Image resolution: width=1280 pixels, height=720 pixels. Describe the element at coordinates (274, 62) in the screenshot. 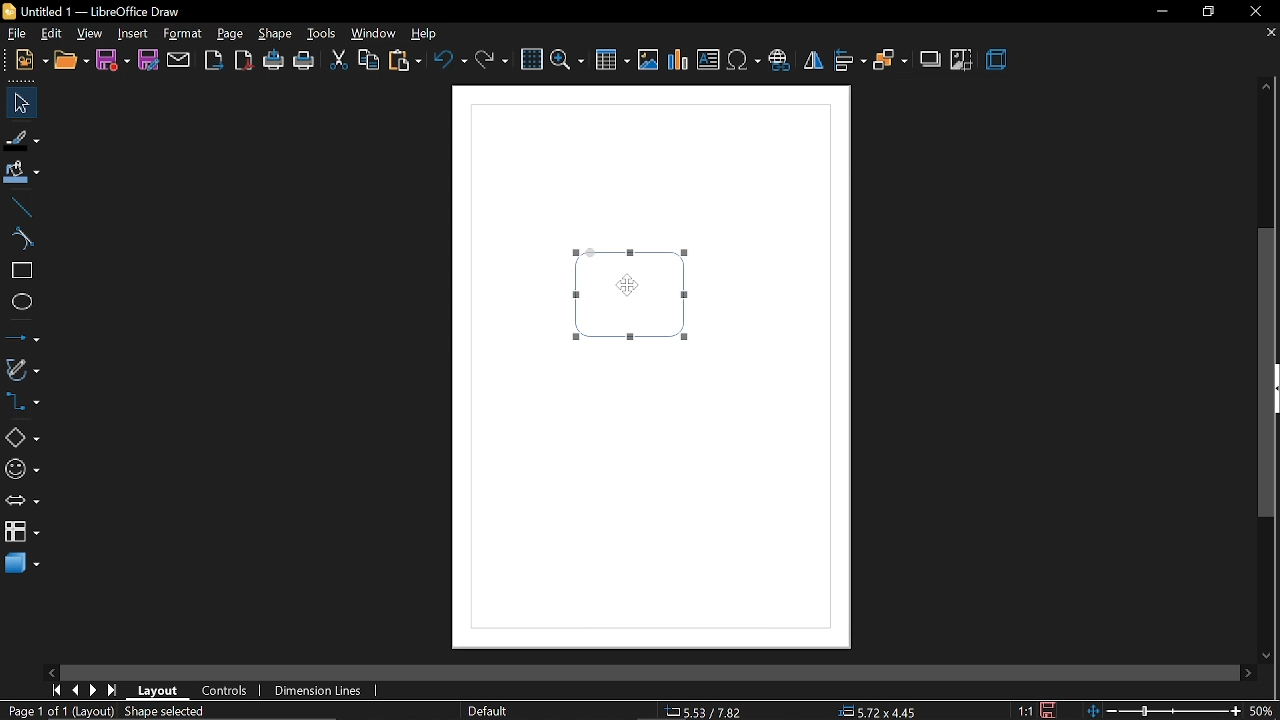

I see `print directly` at that location.